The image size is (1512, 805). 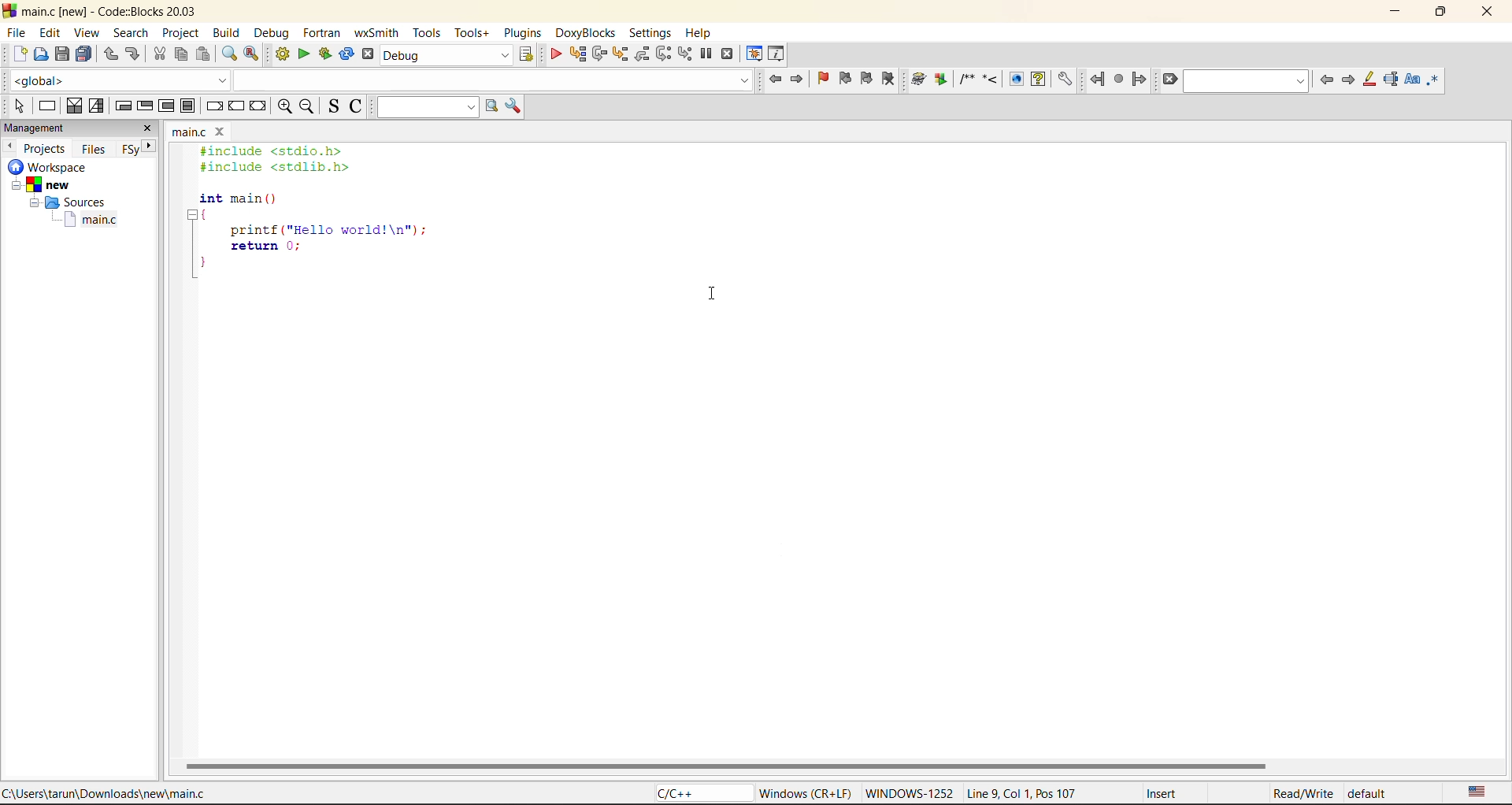 What do you see at coordinates (799, 80) in the screenshot?
I see `jump forward` at bounding box center [799, 80].